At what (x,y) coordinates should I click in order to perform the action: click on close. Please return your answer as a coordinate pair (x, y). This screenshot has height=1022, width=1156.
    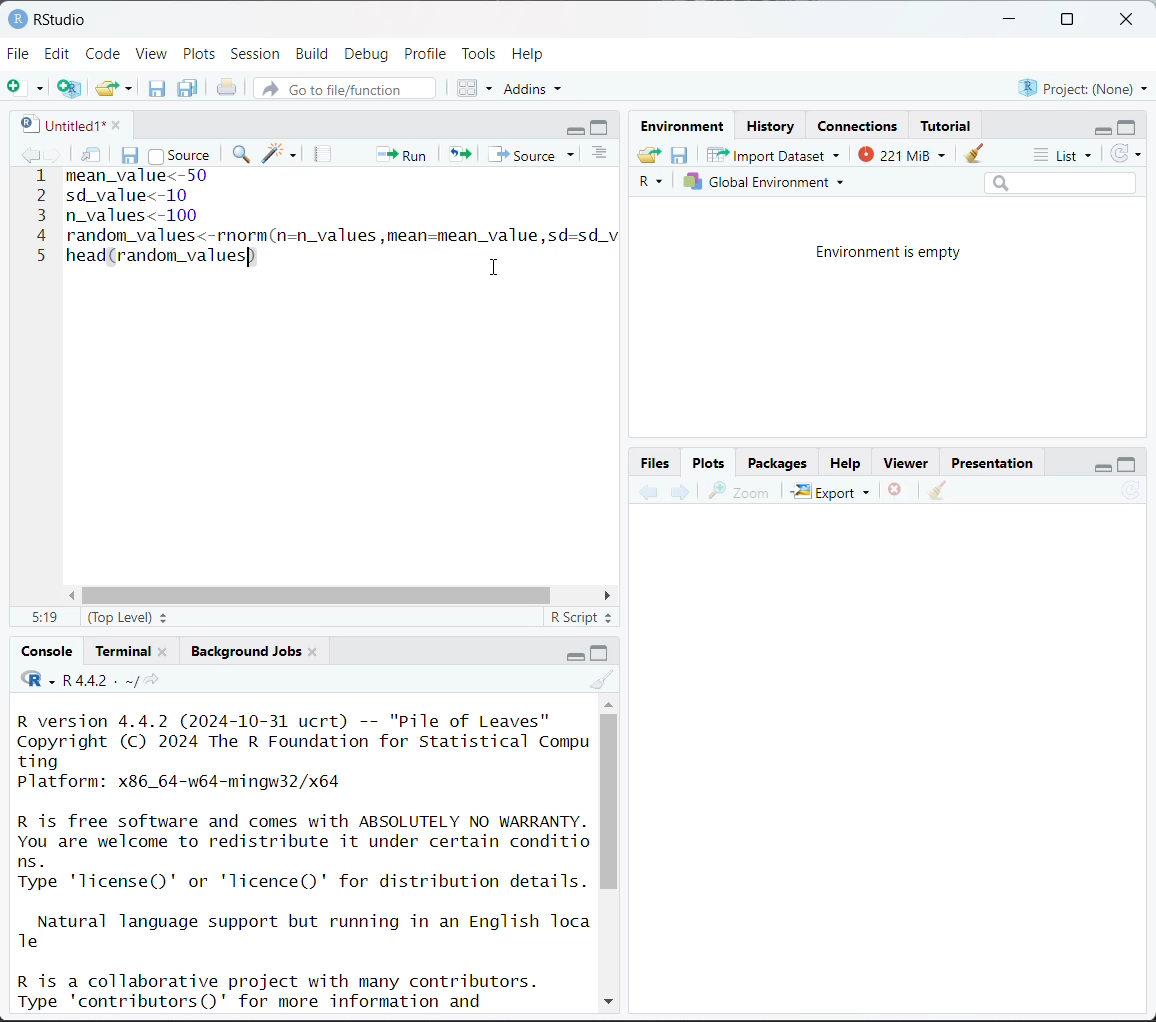
    Looking at the image, I should click on (163, 650).